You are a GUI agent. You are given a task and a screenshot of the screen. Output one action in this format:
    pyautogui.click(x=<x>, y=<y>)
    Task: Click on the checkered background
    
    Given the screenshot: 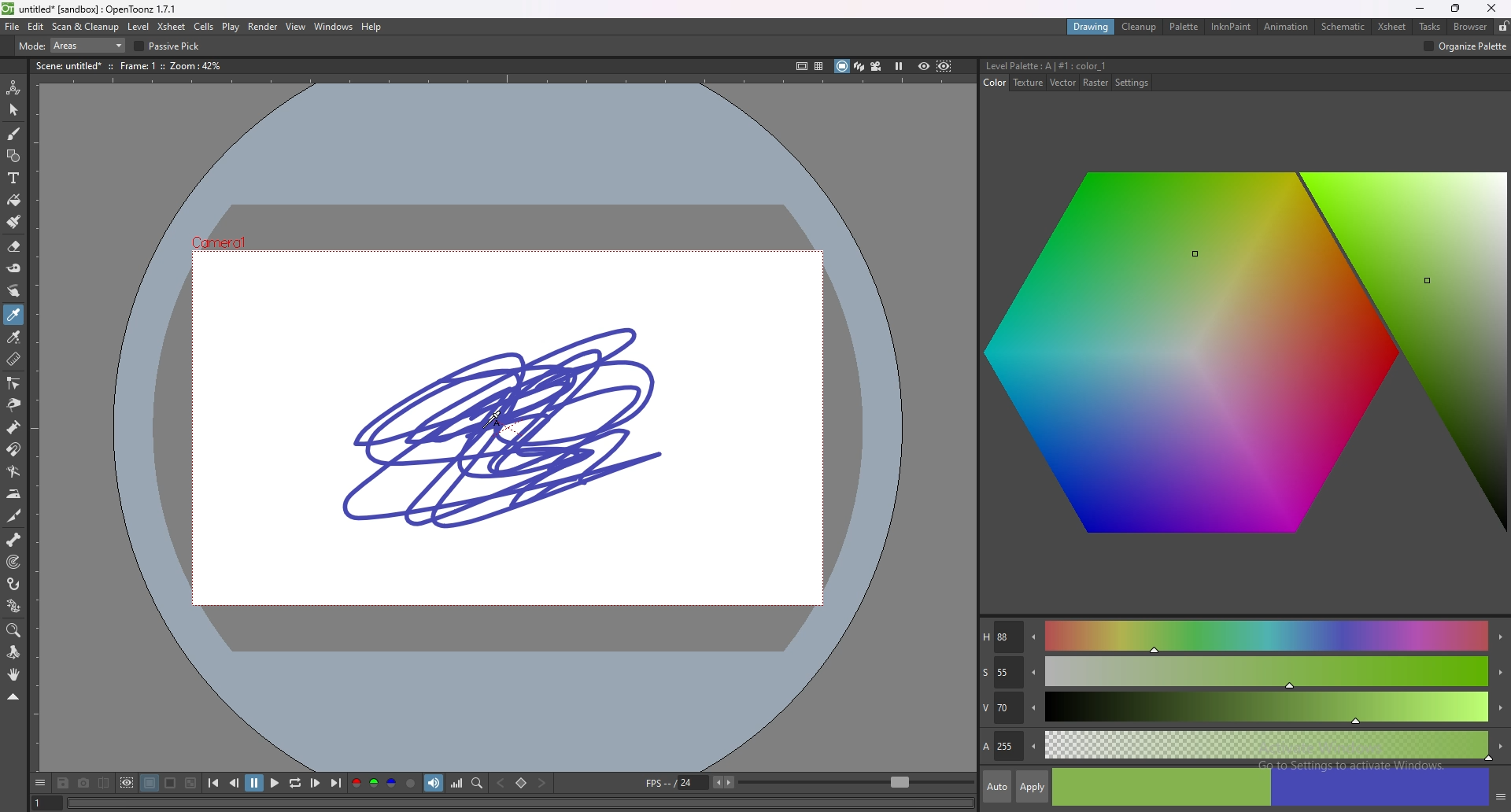 What is the action you would take?
    pyautogui.click(x=190, y=783)
    